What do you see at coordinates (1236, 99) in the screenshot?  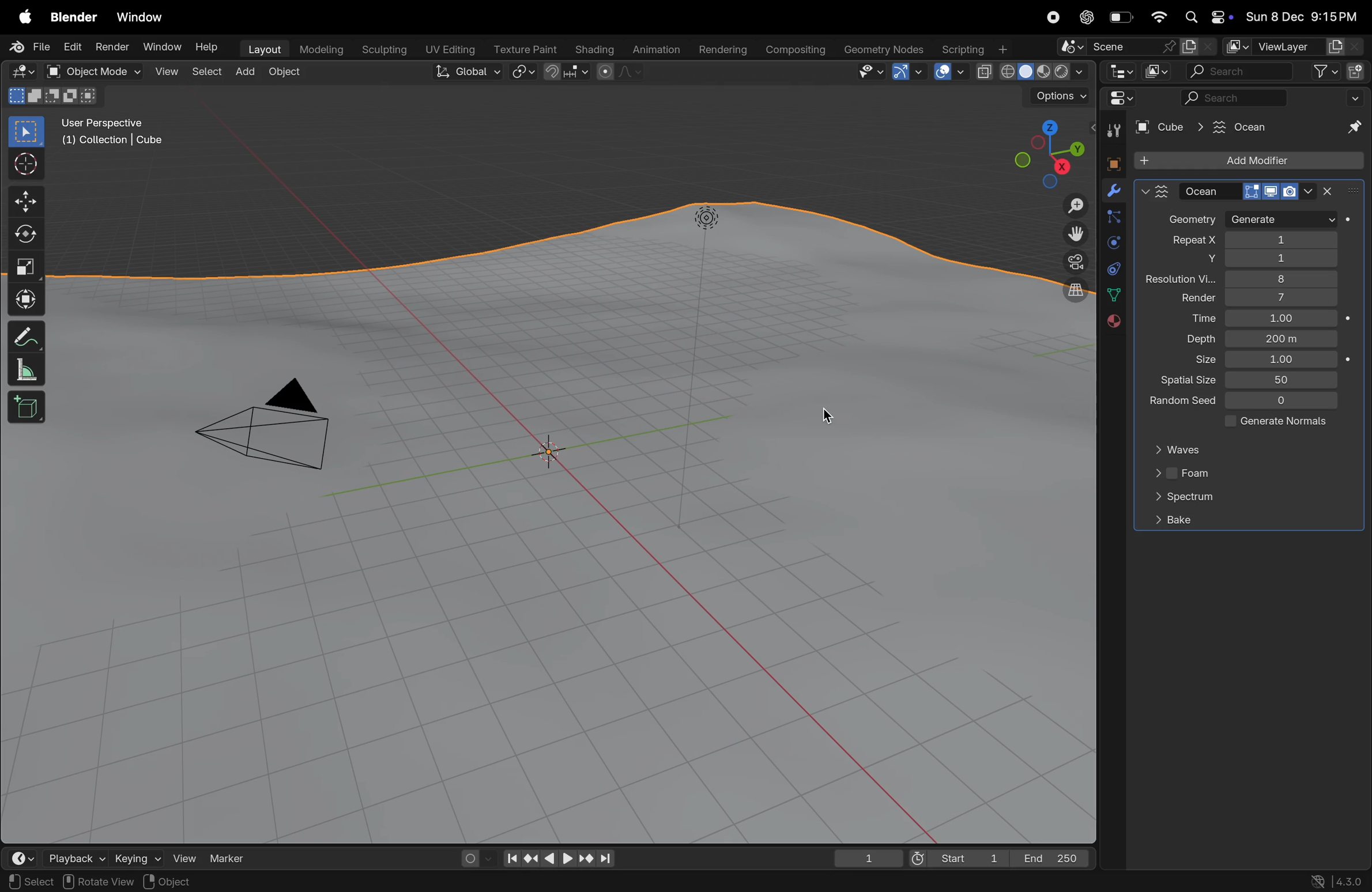 I see `searchbar` at bounding box center [1236, 99].